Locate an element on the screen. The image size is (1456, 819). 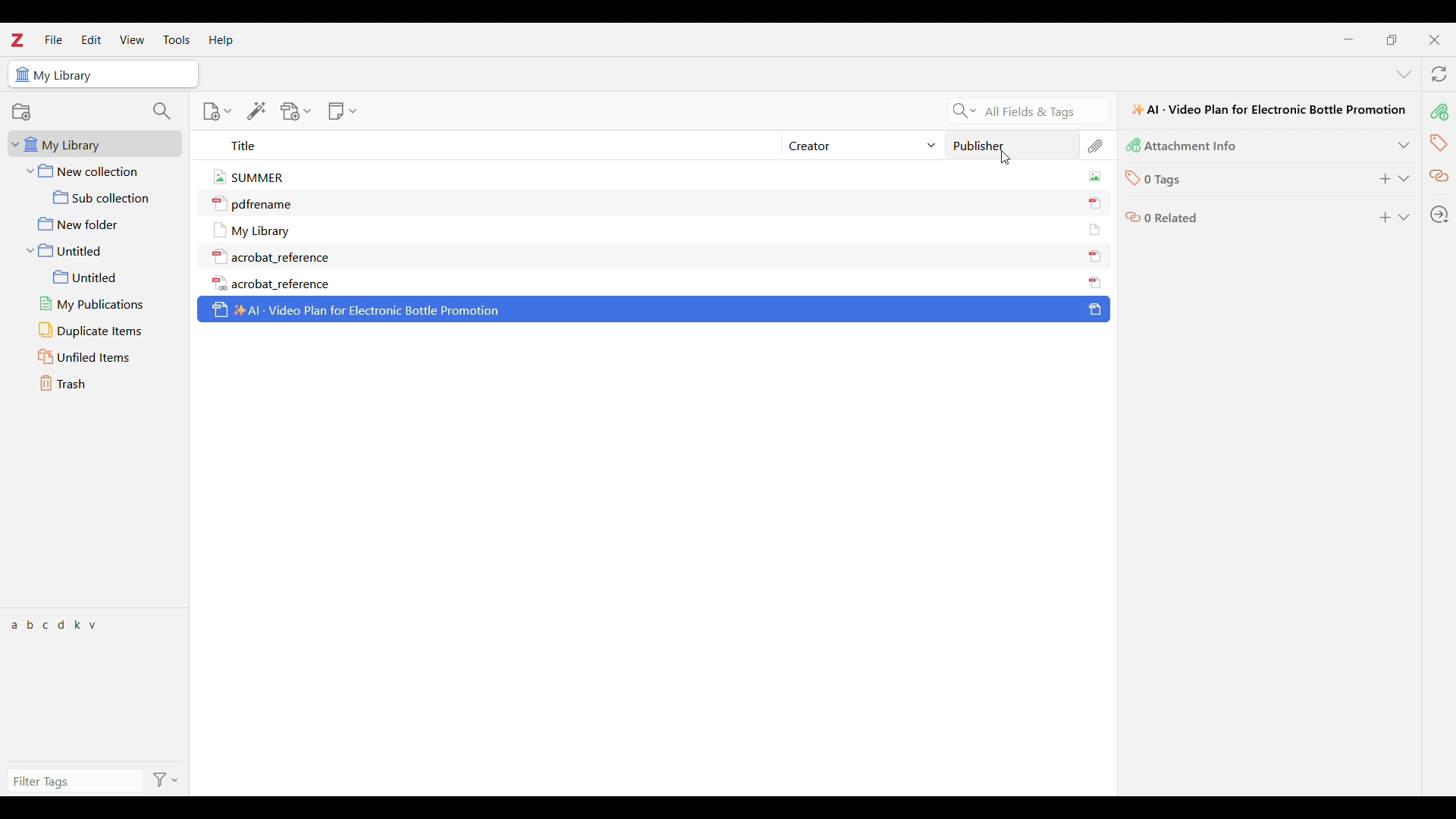
Untitled is located at coordinates (99, 278).